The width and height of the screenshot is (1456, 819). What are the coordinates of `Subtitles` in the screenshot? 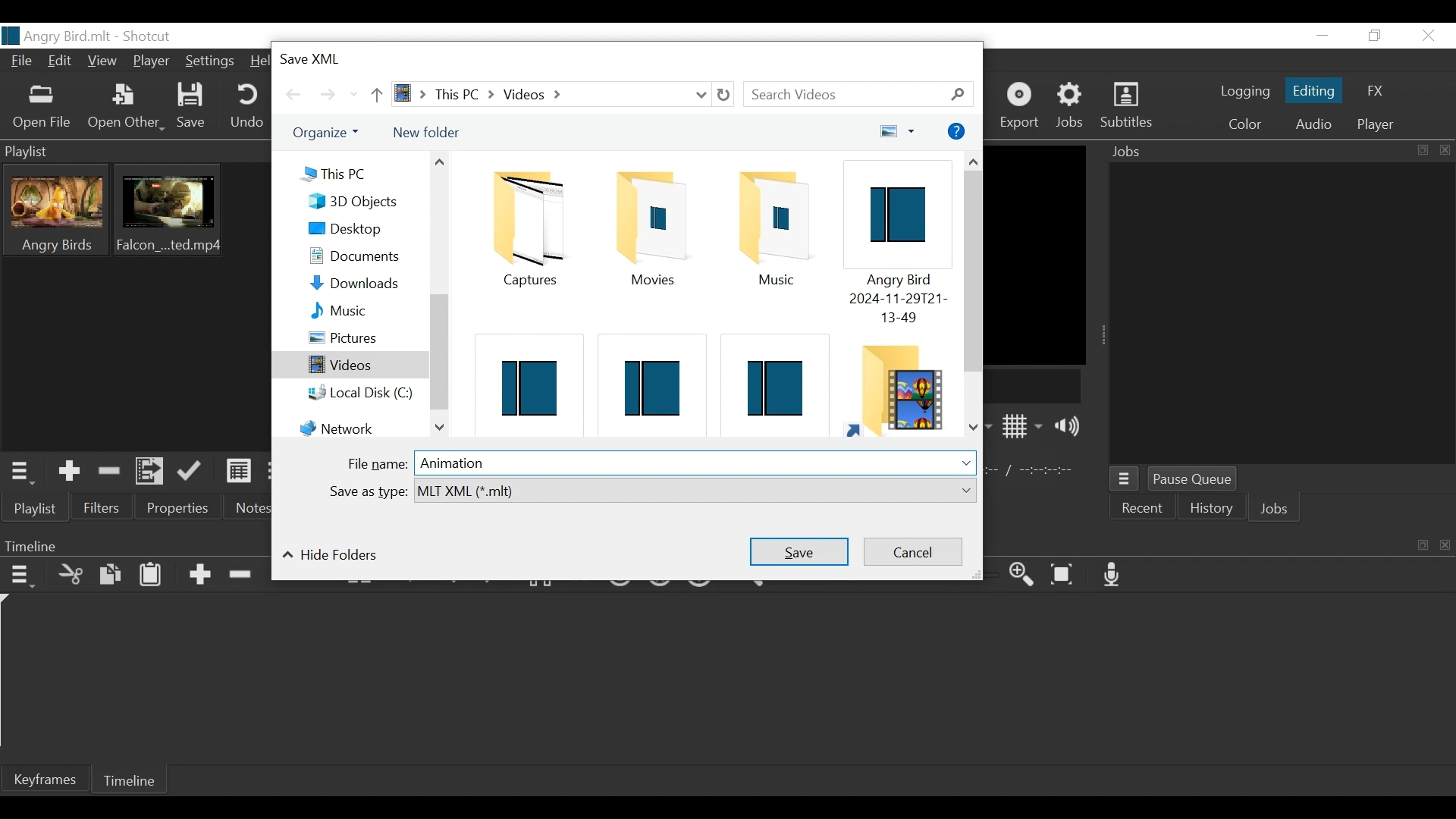 It's located at (1125, 107).